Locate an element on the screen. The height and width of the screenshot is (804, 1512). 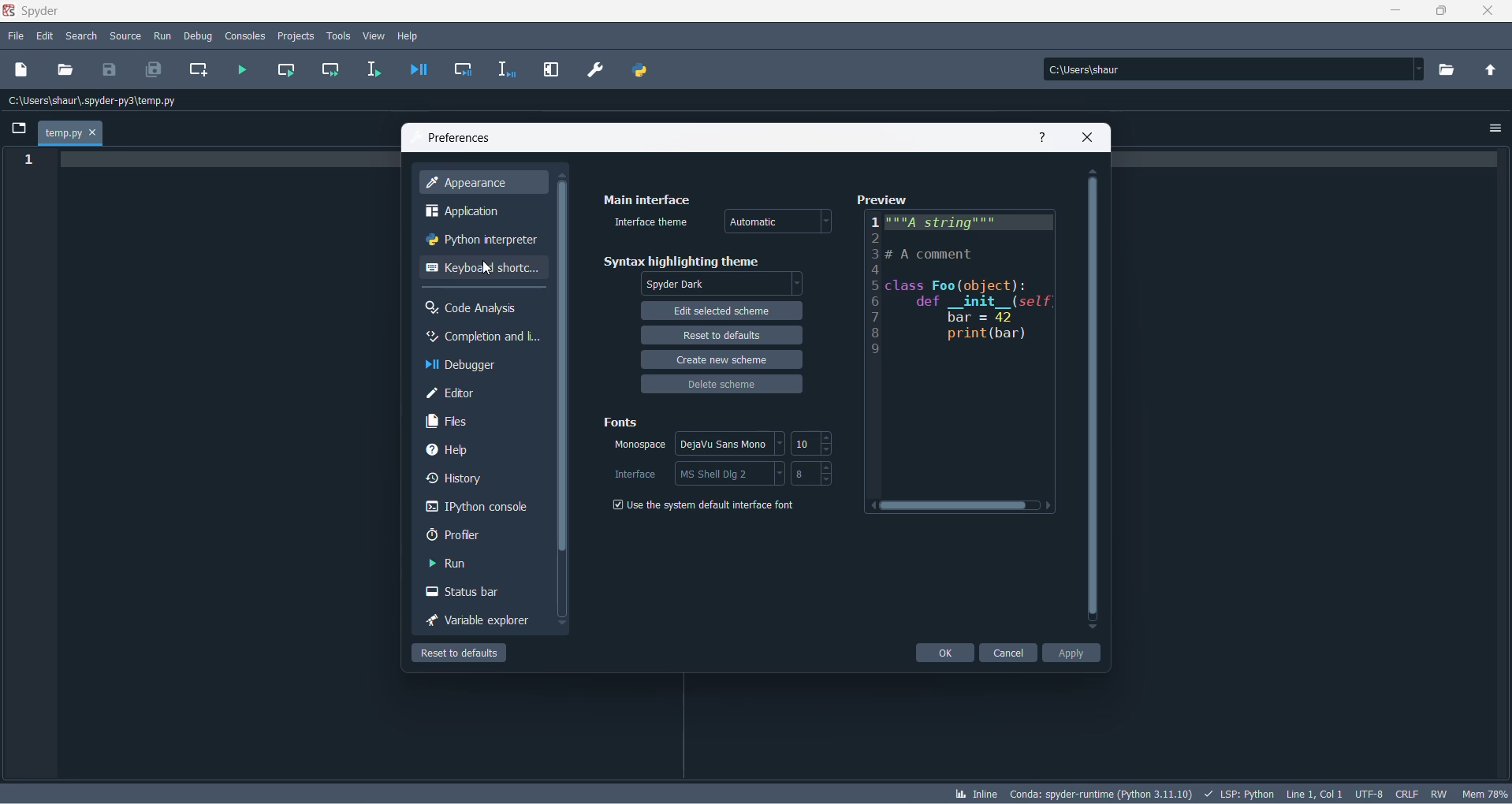
current file tab is located at coordinates (70, 134).